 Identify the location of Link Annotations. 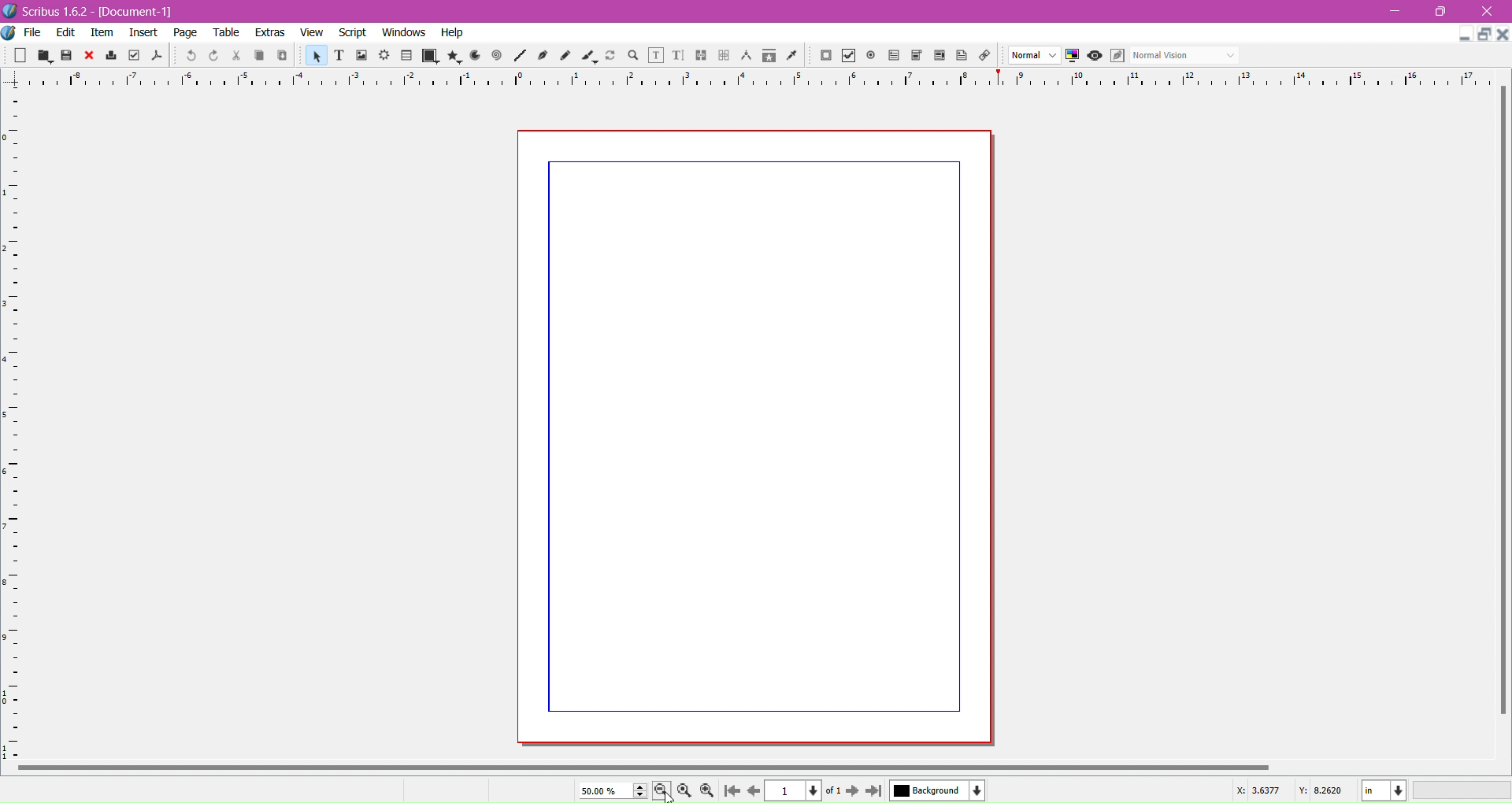
(984, 55).